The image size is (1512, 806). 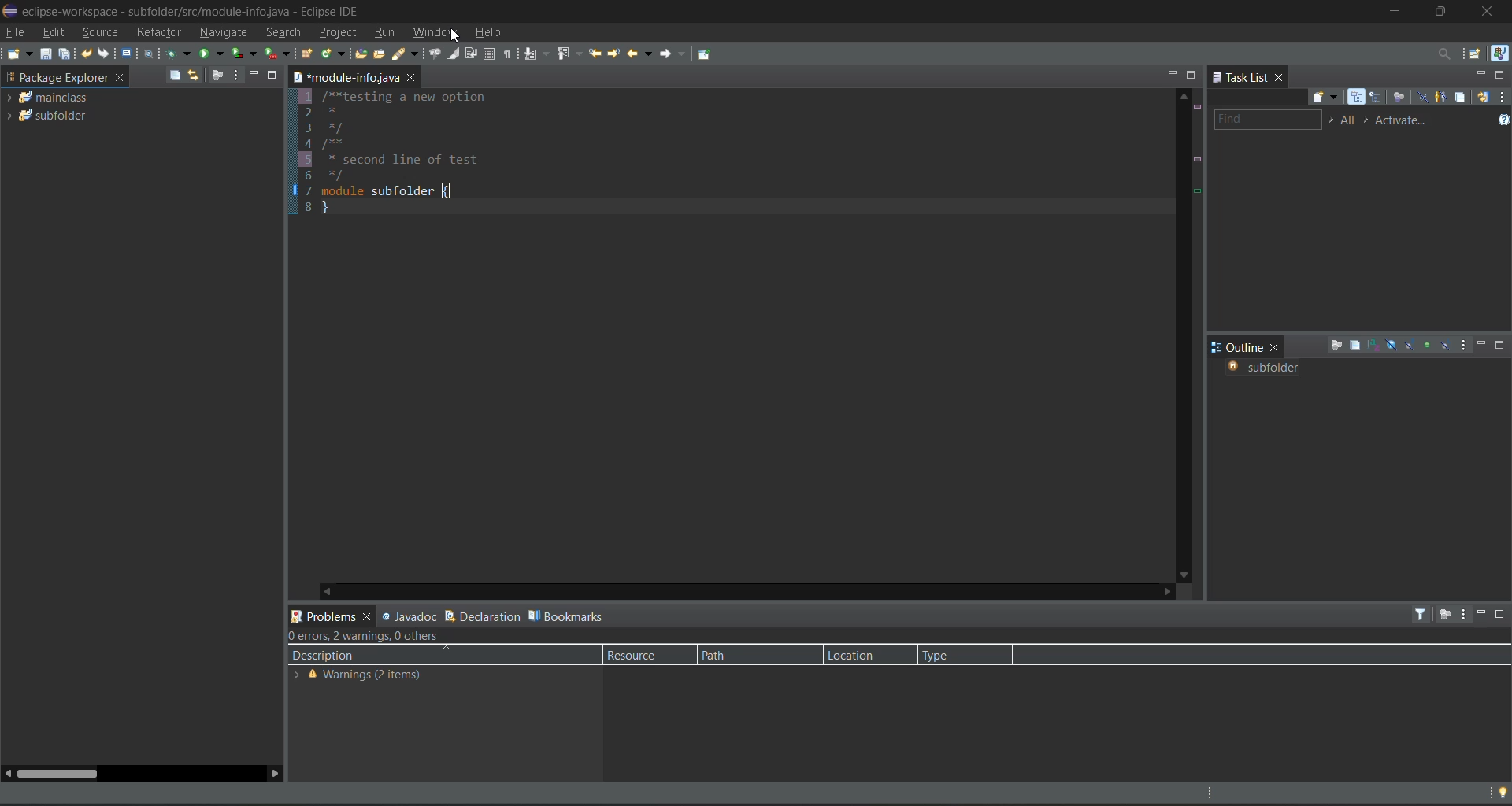 What do you see at coordinates (1499, 75) in the screenshot?
I see `maximize` at bounding box center [1499, 75].